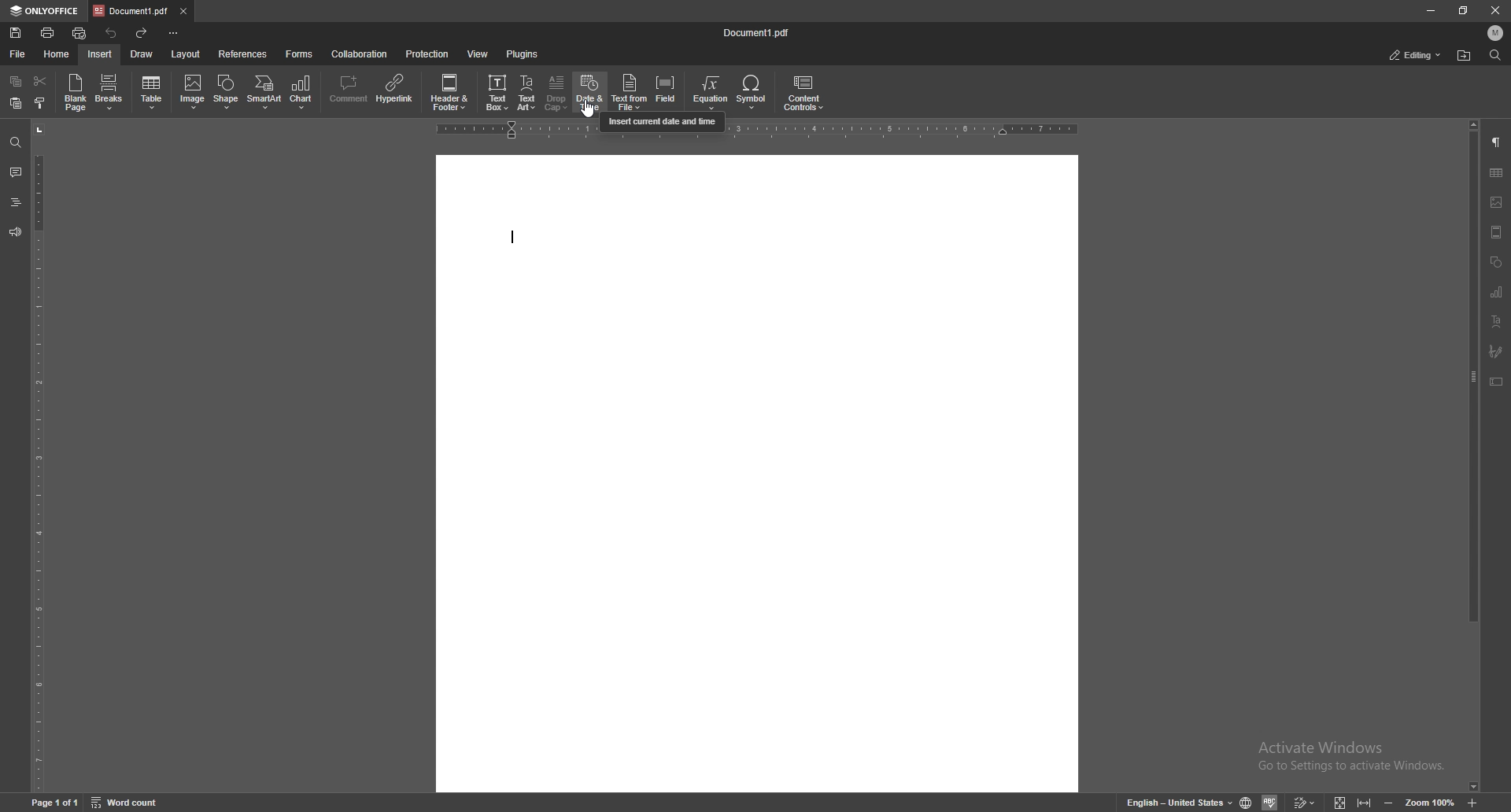  I want to click on text box, so click(497, 92).